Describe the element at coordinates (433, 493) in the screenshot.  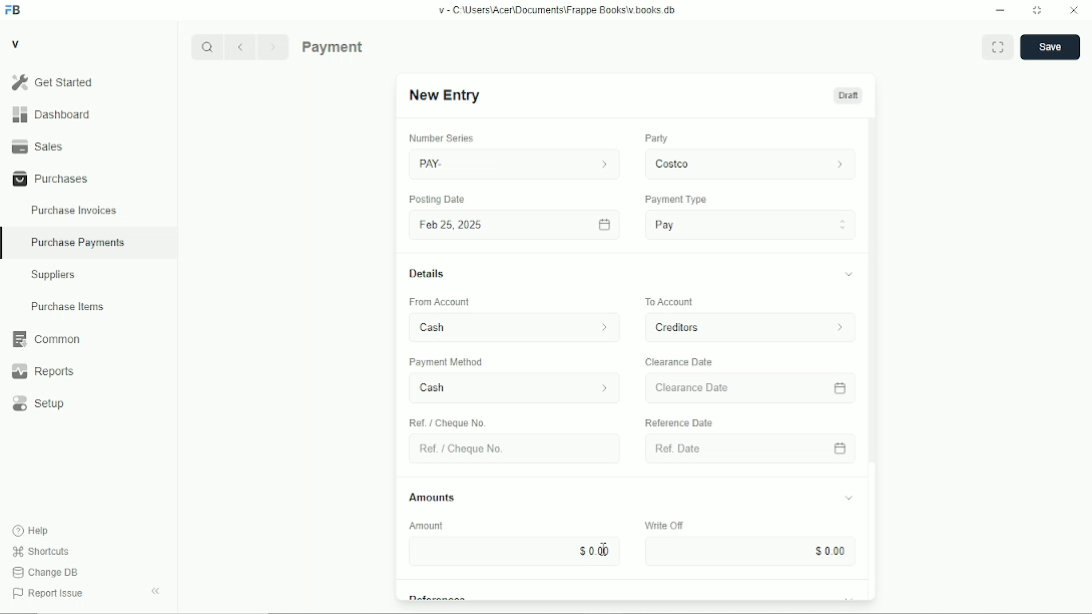
I see `Amounts` at that location.